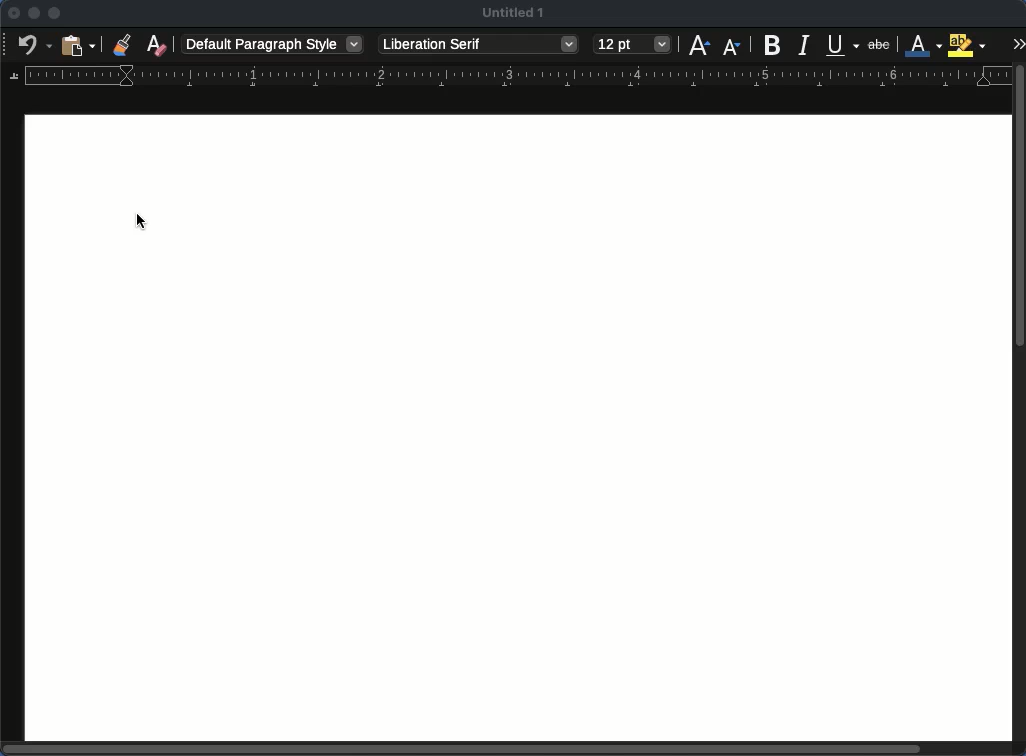 The image size is (1026, 756). I want to click on close, so click(14, 13).